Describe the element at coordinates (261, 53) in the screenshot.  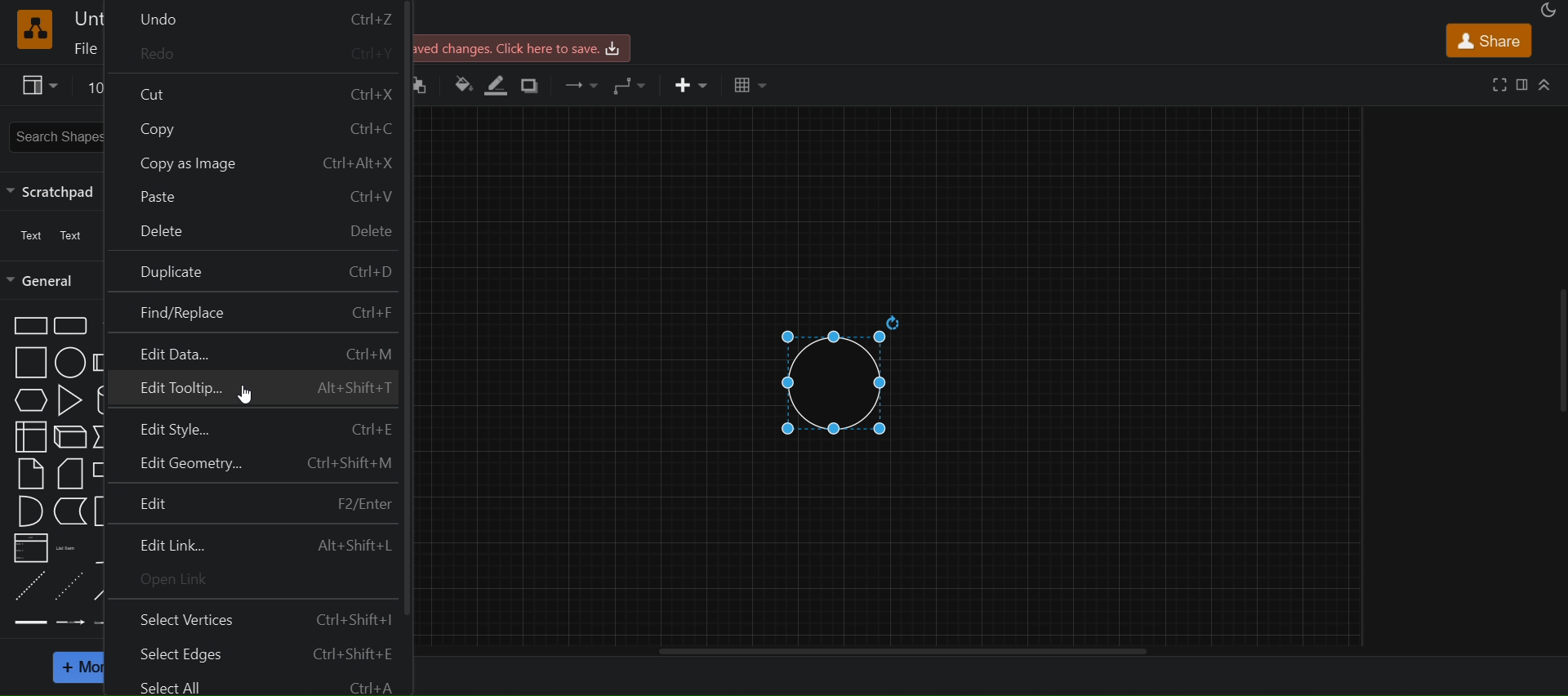
I see `redo` at that location.